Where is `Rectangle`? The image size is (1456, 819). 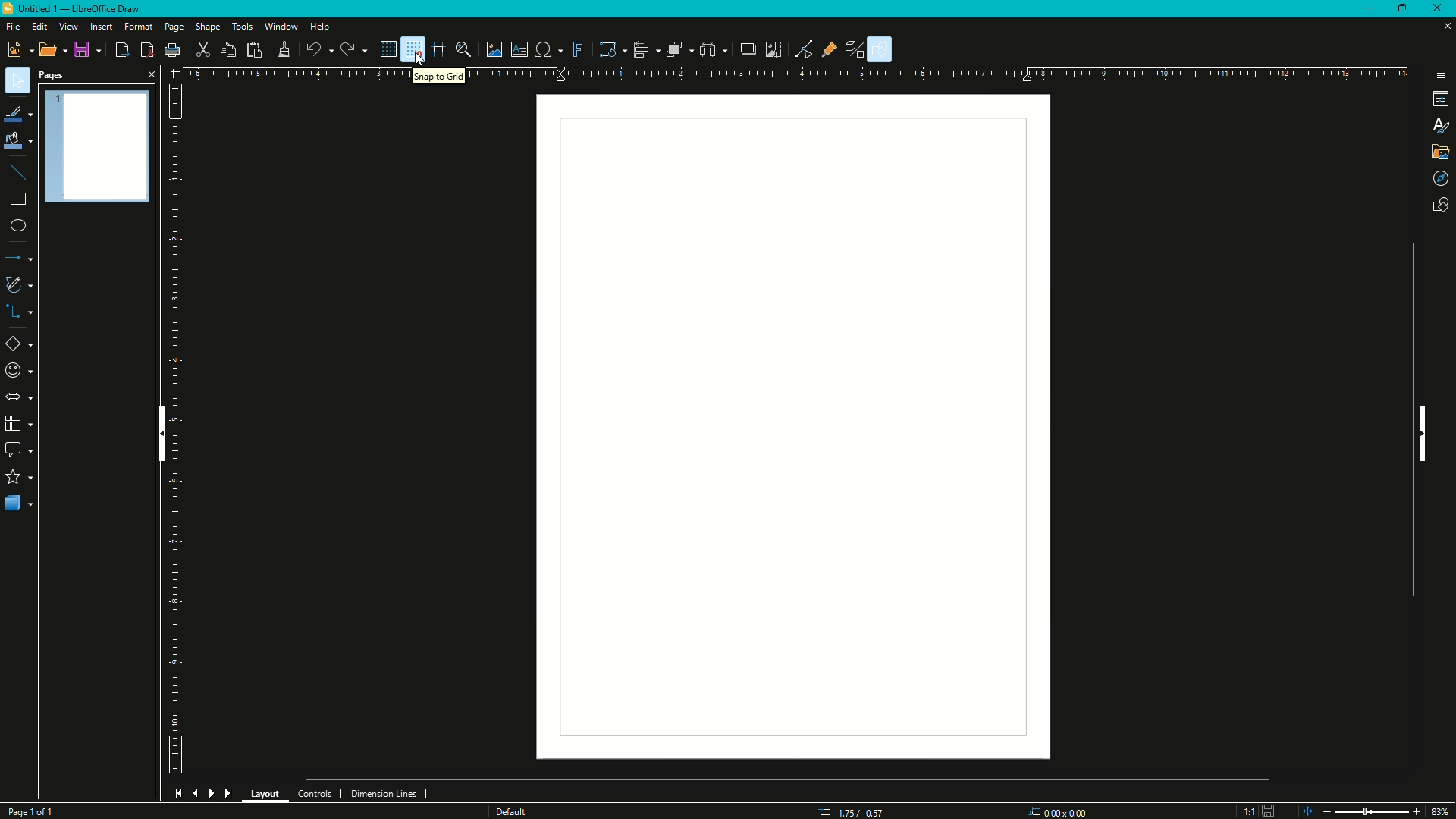 Rectangle is located at coordinates (22, 199).